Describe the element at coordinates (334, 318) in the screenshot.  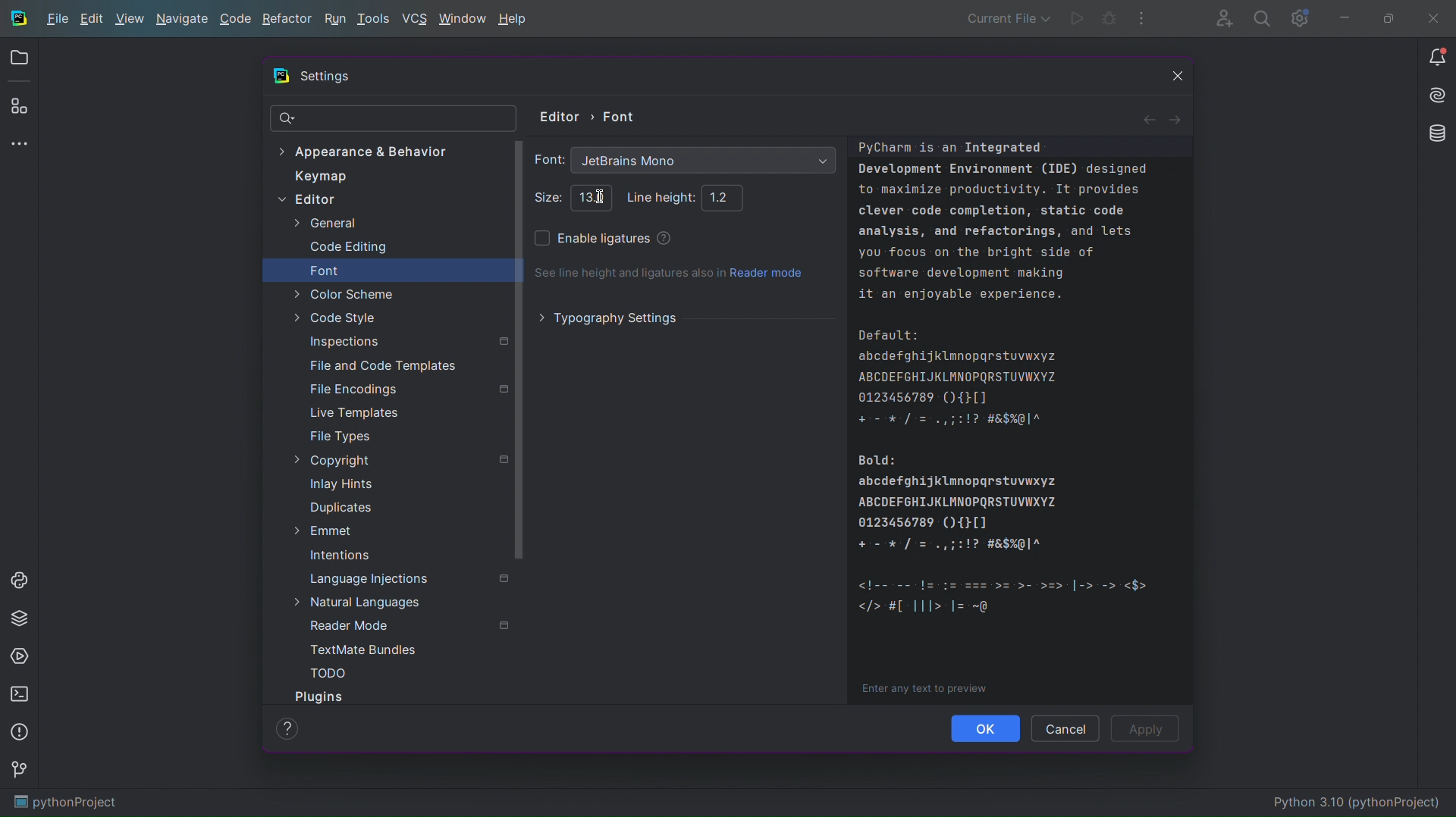
I see `Code Style` at that location.